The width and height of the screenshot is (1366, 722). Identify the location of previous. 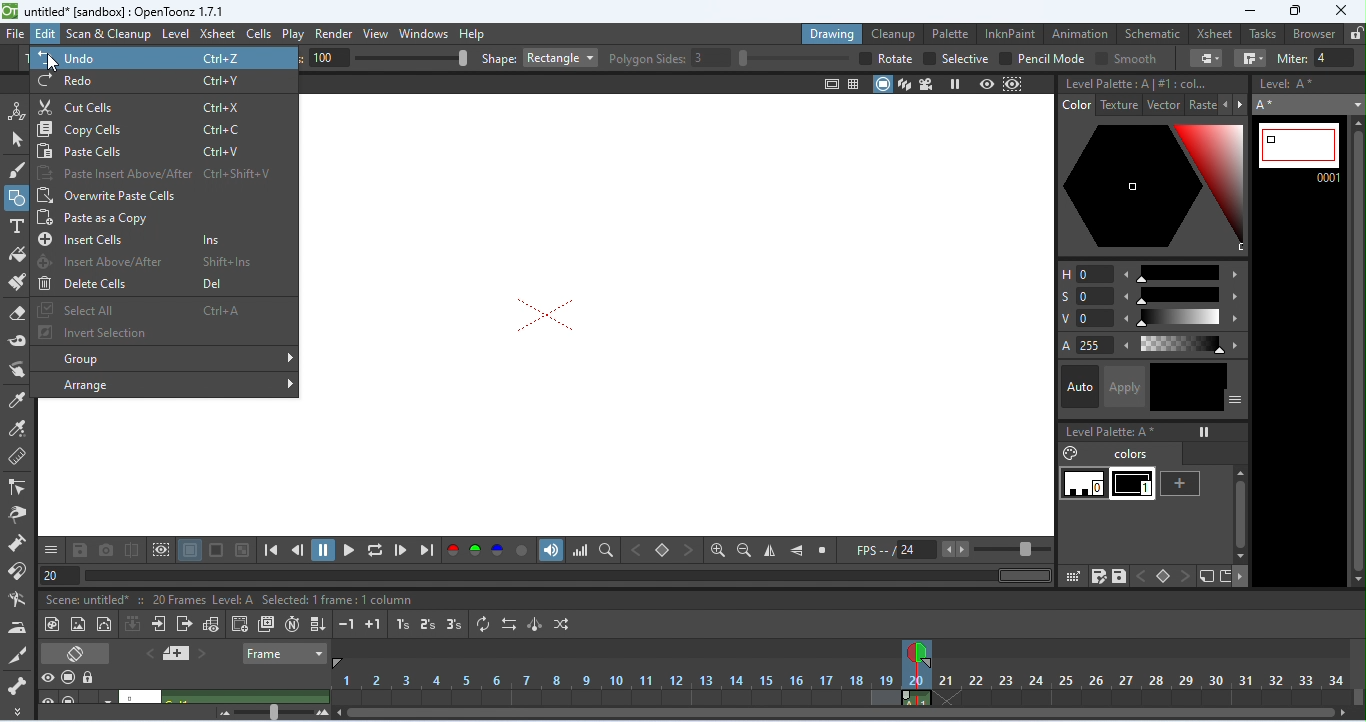
(147, 654).